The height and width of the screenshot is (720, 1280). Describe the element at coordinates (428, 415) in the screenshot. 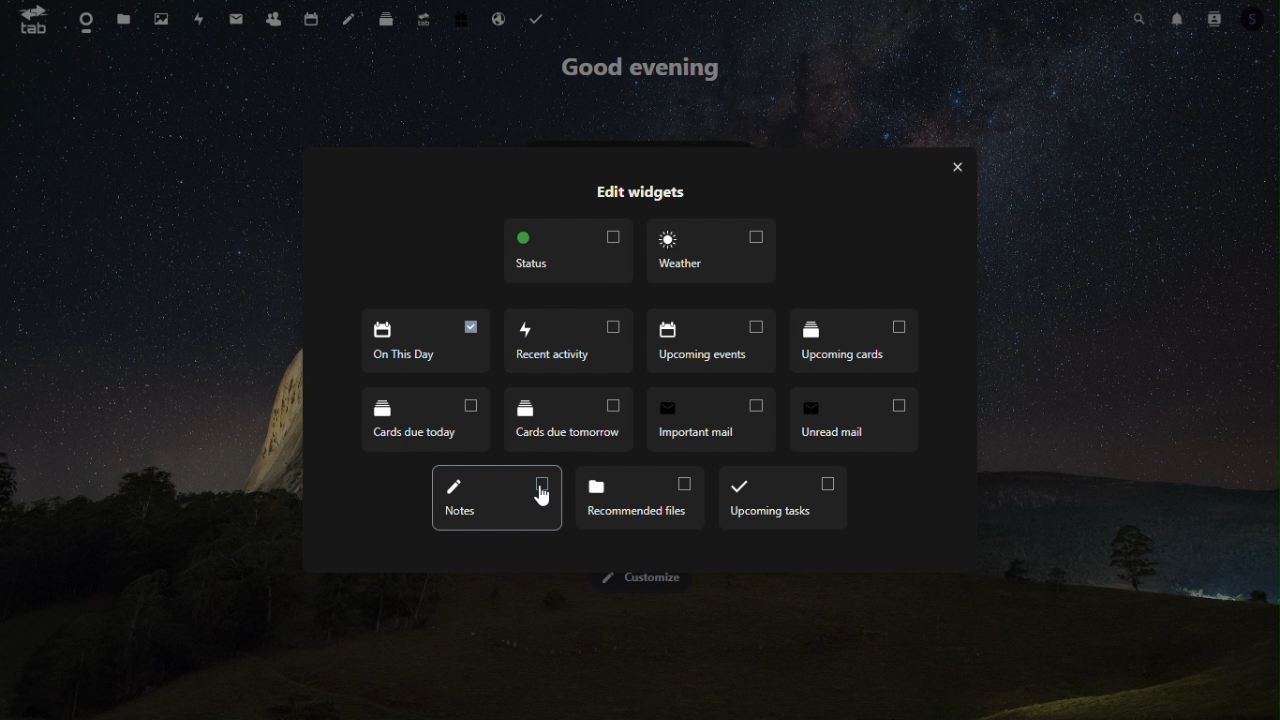

I see `Cards due tomorrow ` at that location.